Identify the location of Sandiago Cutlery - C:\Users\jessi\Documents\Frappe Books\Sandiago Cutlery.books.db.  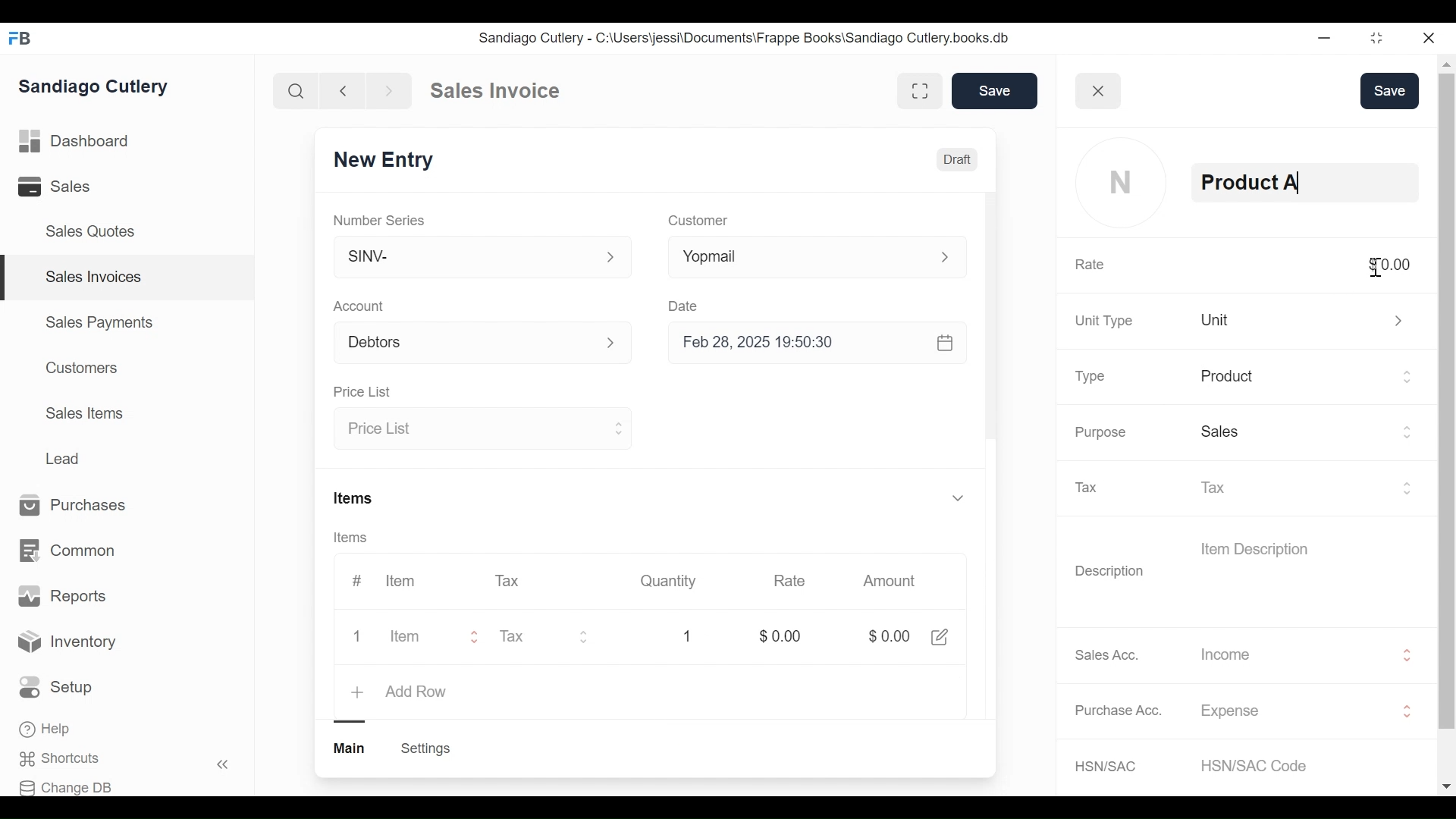
(742, 37).